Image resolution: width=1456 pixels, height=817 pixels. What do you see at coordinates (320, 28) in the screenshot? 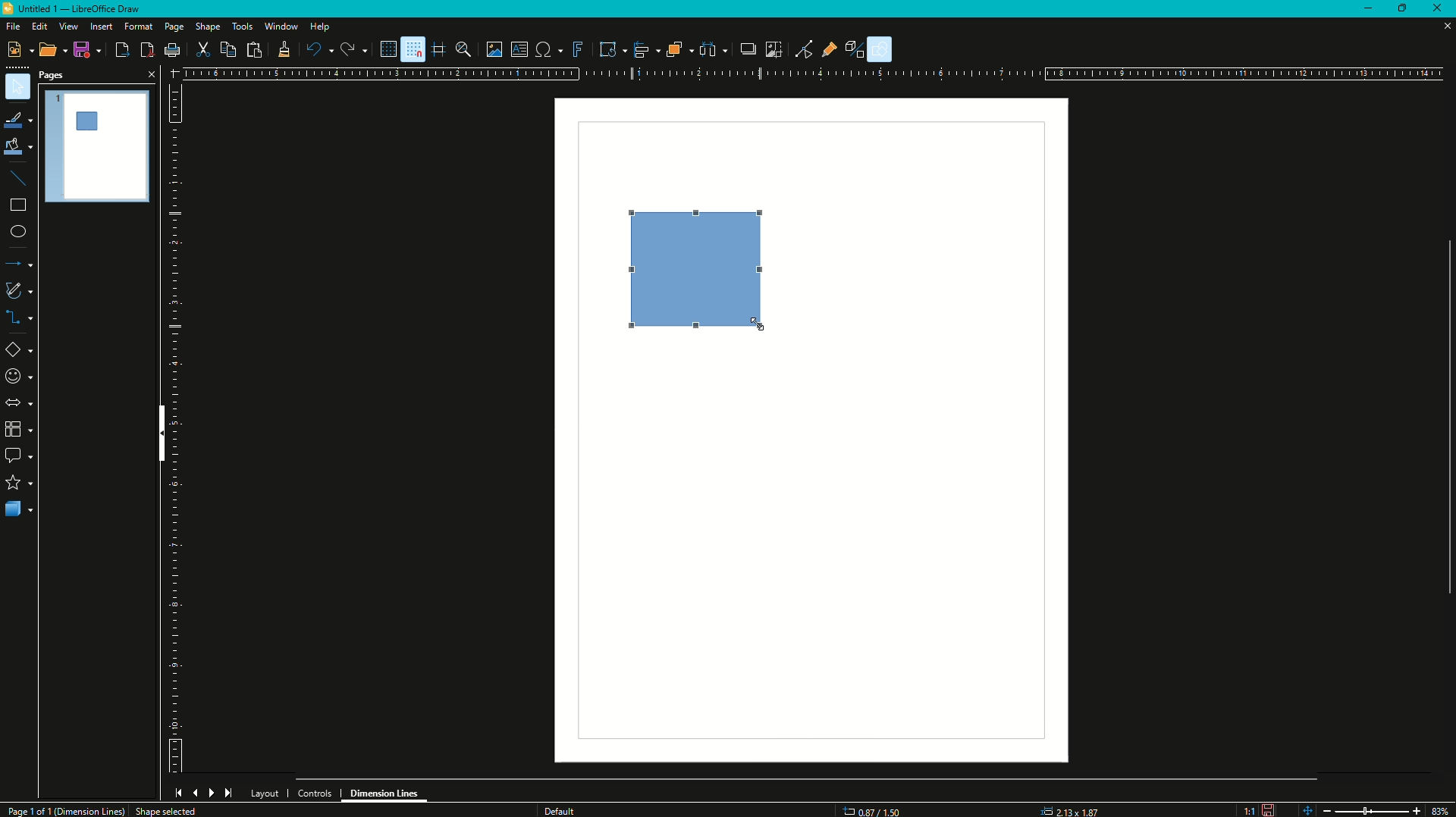
I see `Help` at bounding box center [320, 28].